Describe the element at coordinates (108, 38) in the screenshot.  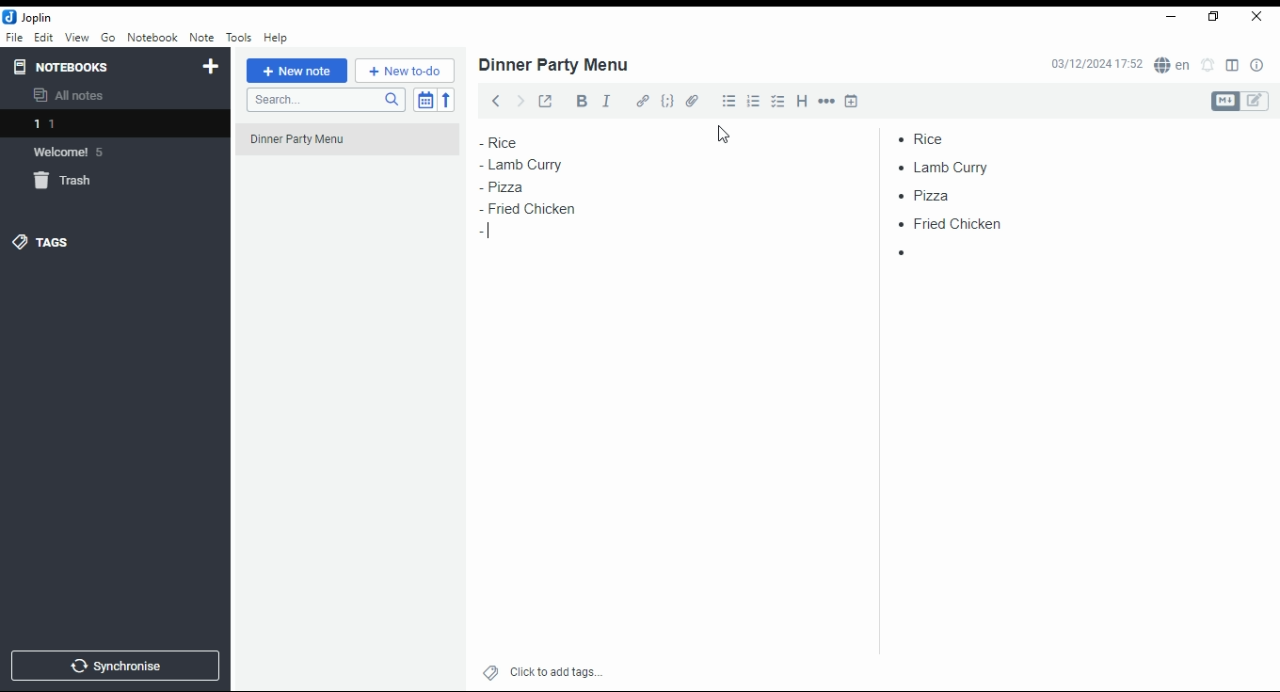
I see `go` at that location.